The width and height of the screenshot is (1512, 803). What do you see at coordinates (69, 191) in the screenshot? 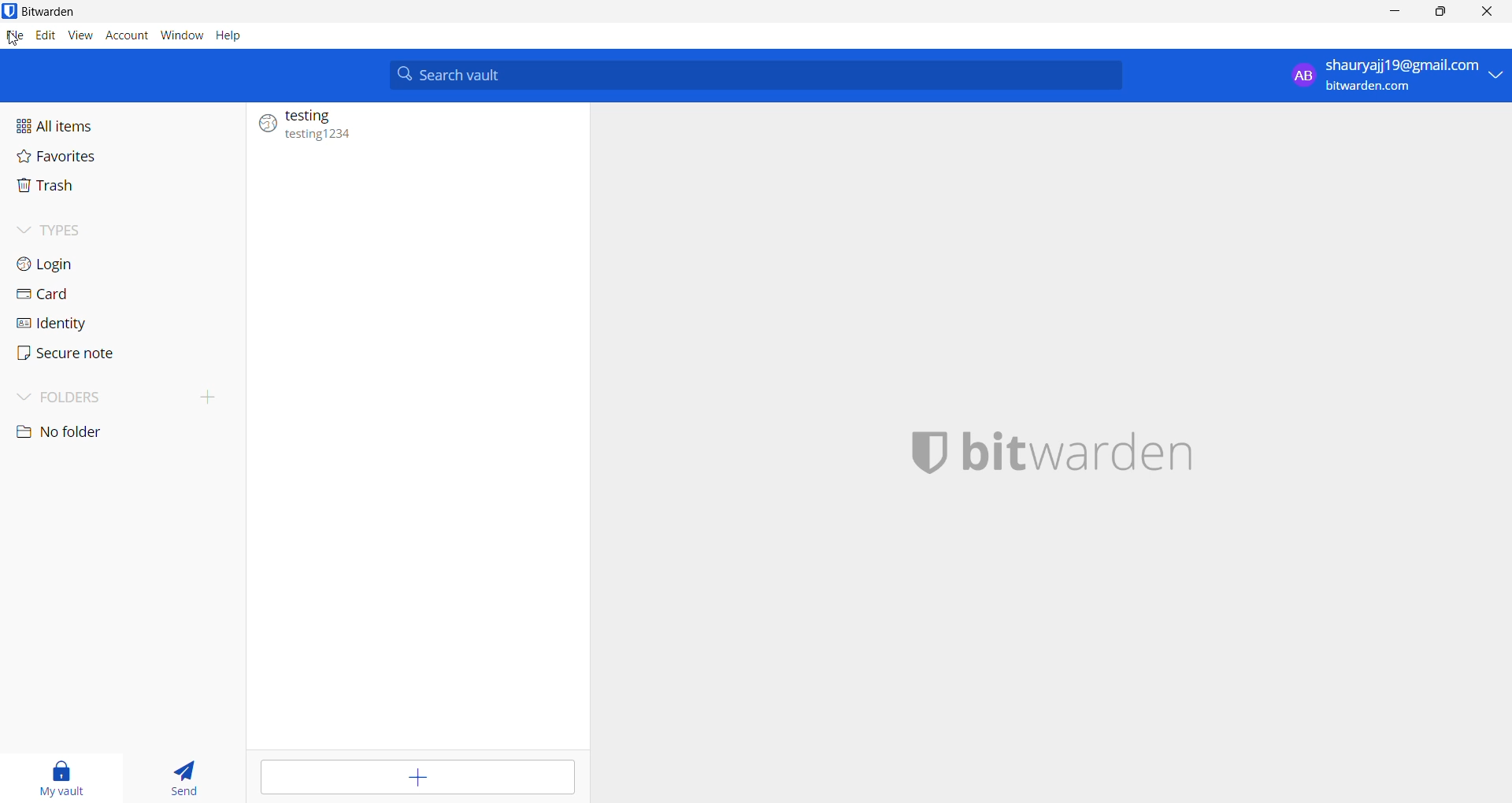
I see `trash` at bounding box center [69, 191].